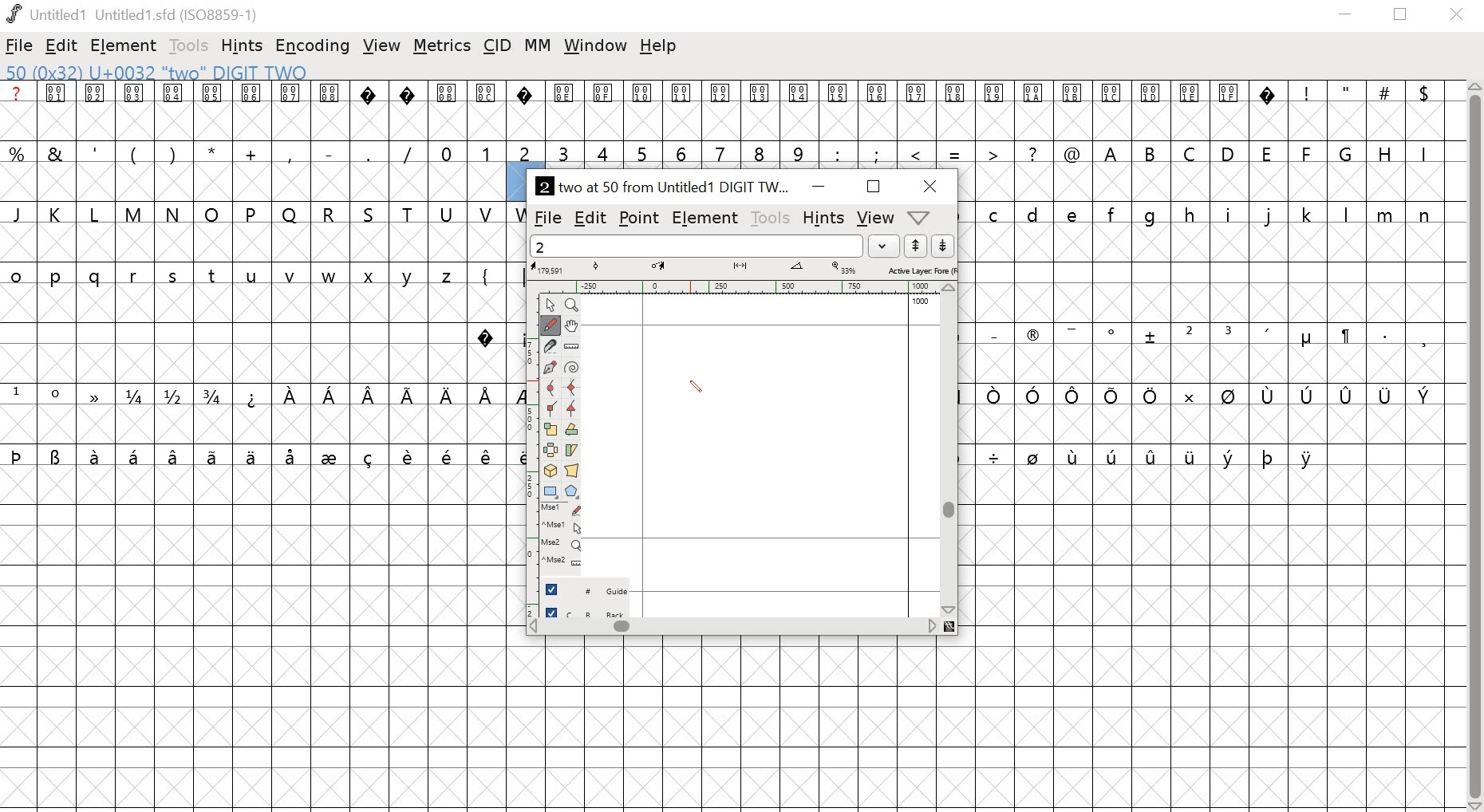 Image resolution: width=1484 pixels, height=812 pixels. Describe the element at coordinates (565, 528) in the screenshot. I see `mouse left button + Ctrl` at that location.